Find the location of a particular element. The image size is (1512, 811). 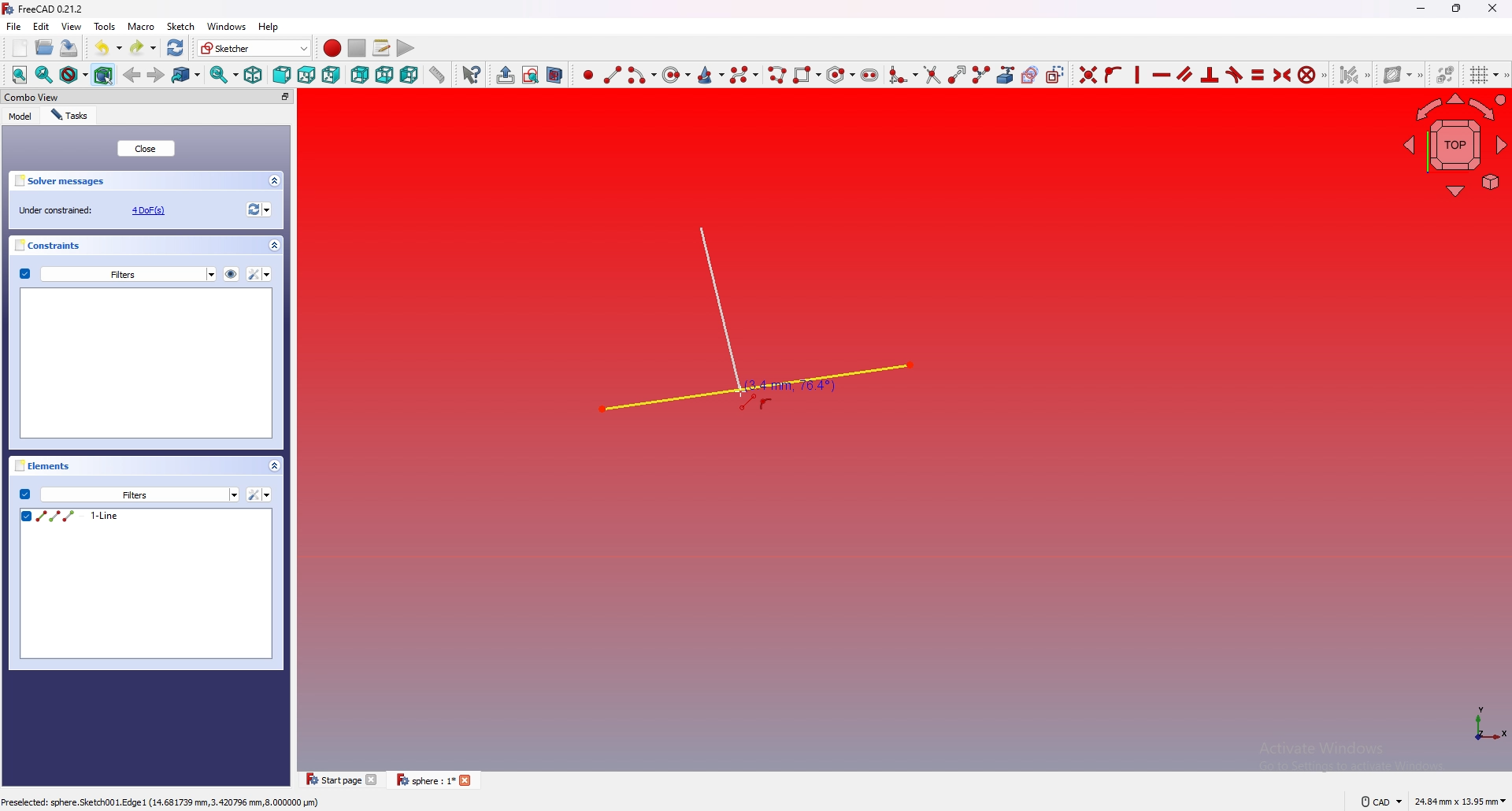

Bottom is located at coordinates (384, 74).